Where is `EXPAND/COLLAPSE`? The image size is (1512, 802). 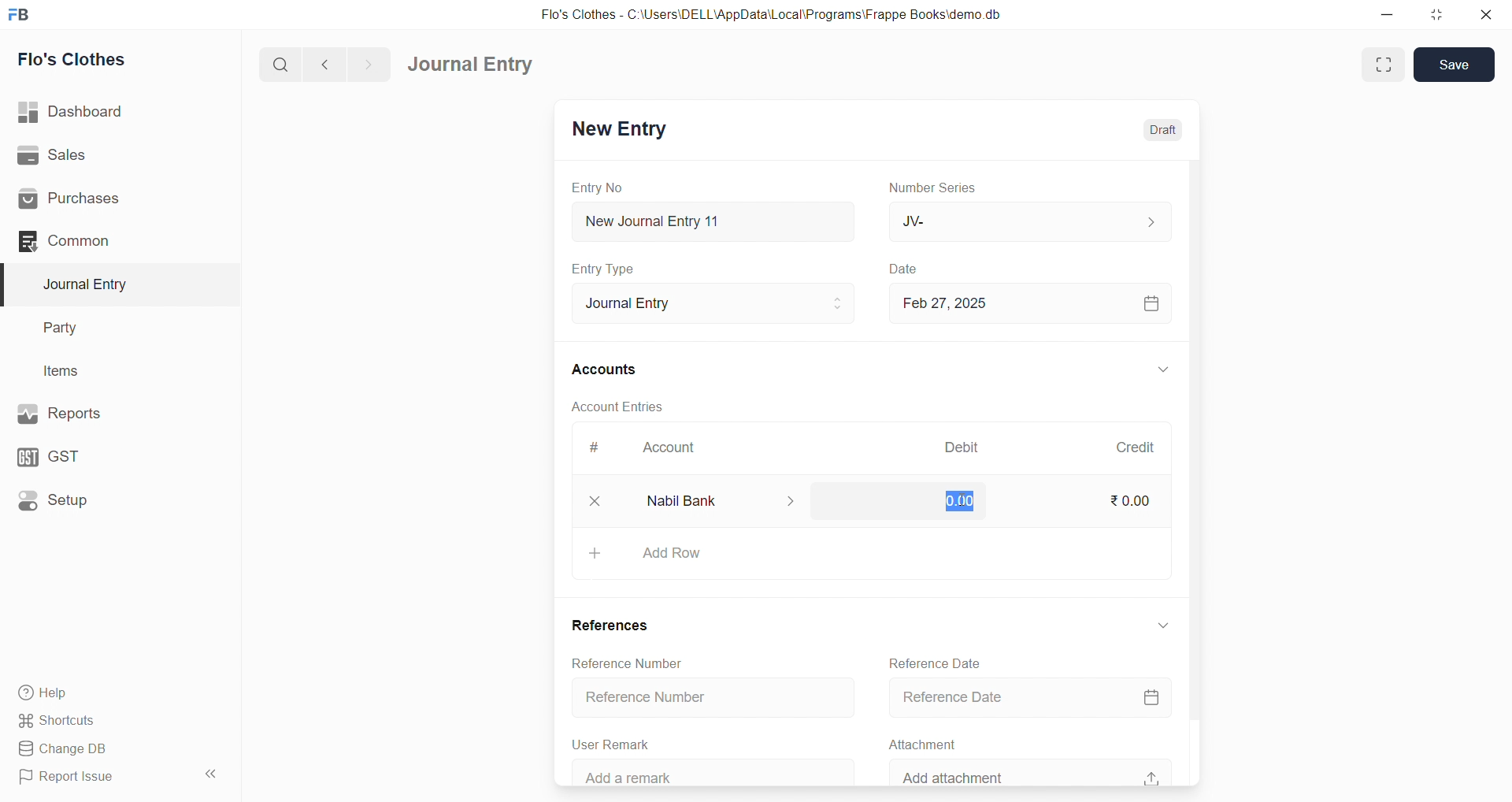
EXPAND/COLLAPSE is located at coordinates (1163, 629).